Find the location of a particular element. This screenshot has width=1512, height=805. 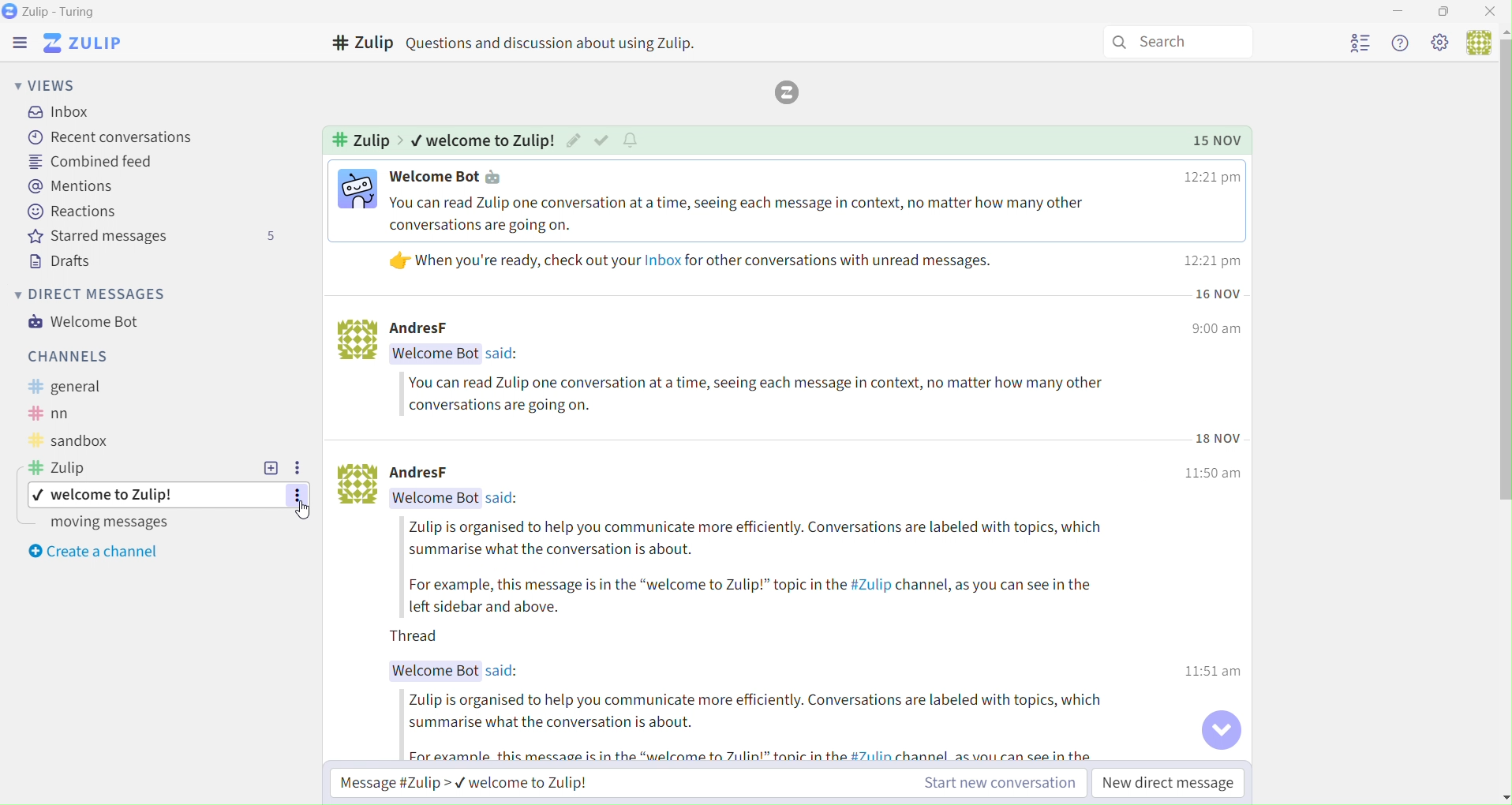

Add is located at coordinates (270, 469).